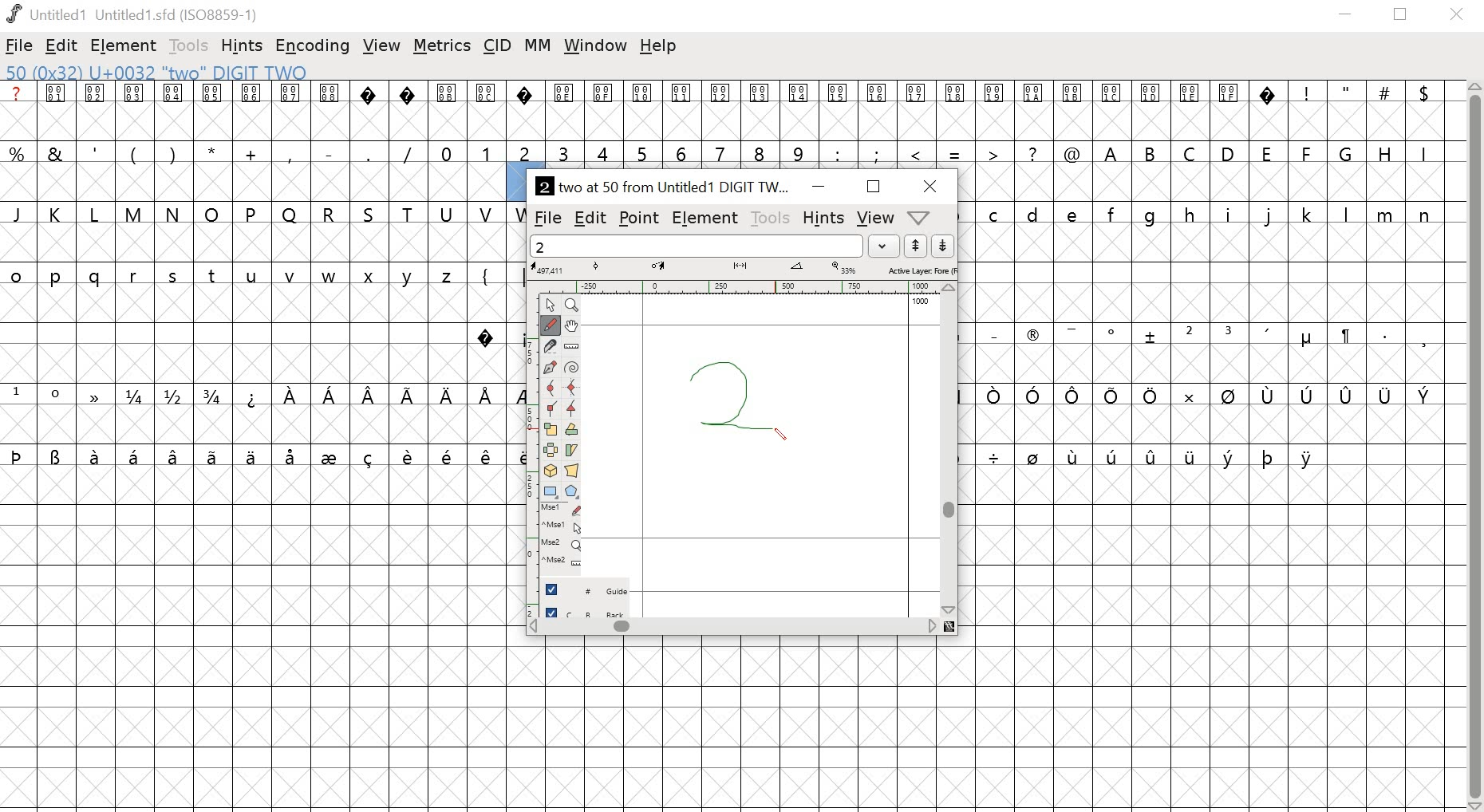 This screenshot has height=812, width=1484. I want to click on ruler, so click(532, 447).